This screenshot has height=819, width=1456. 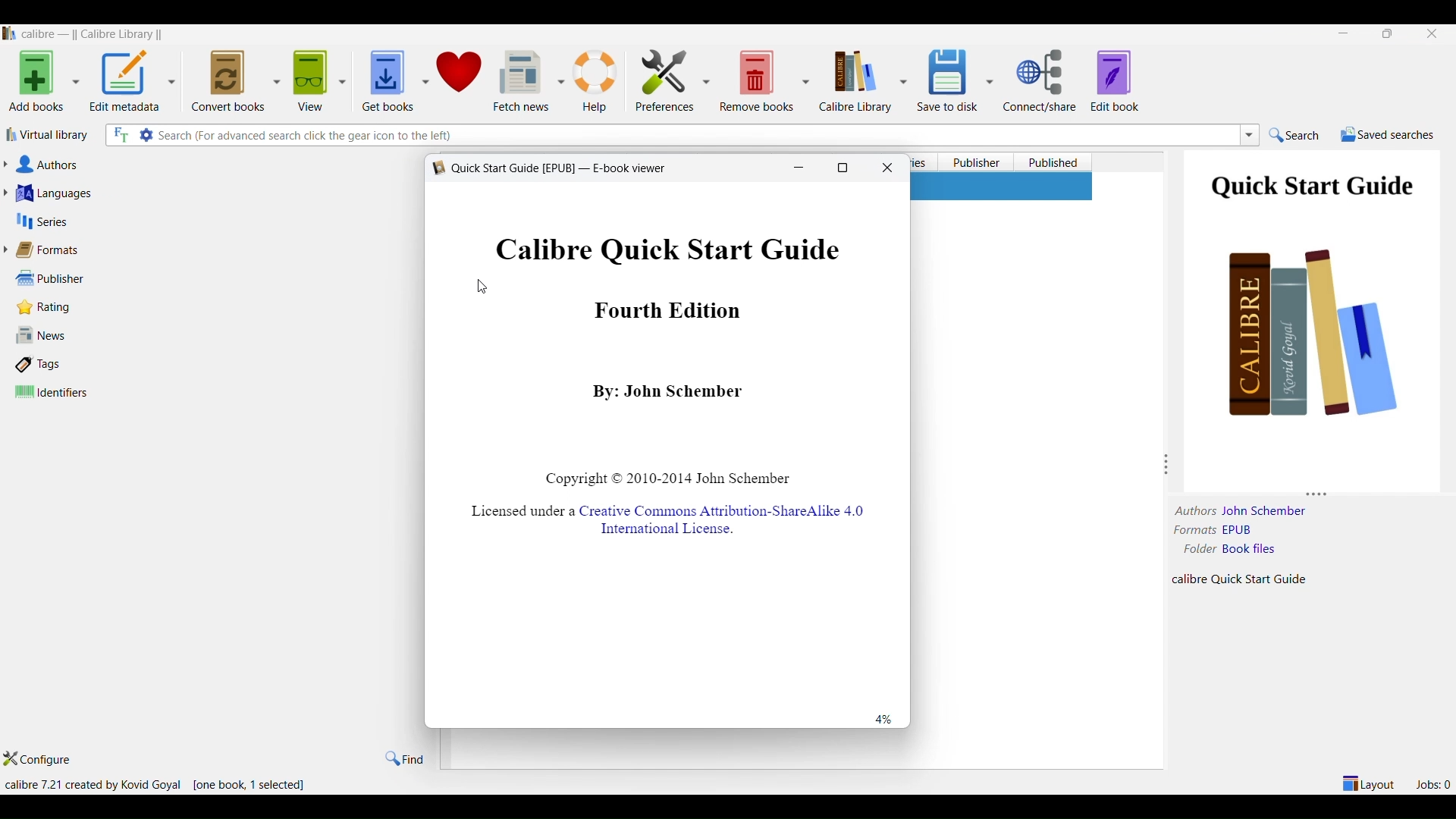 What do you see at coordinates (684, 358) in the screenshot?
I see `Calibre Quick Start Guide
Fourth Edition
By: John Schember
Copyright © 2010-2014 John Schember` at bounding box center [684, 358].